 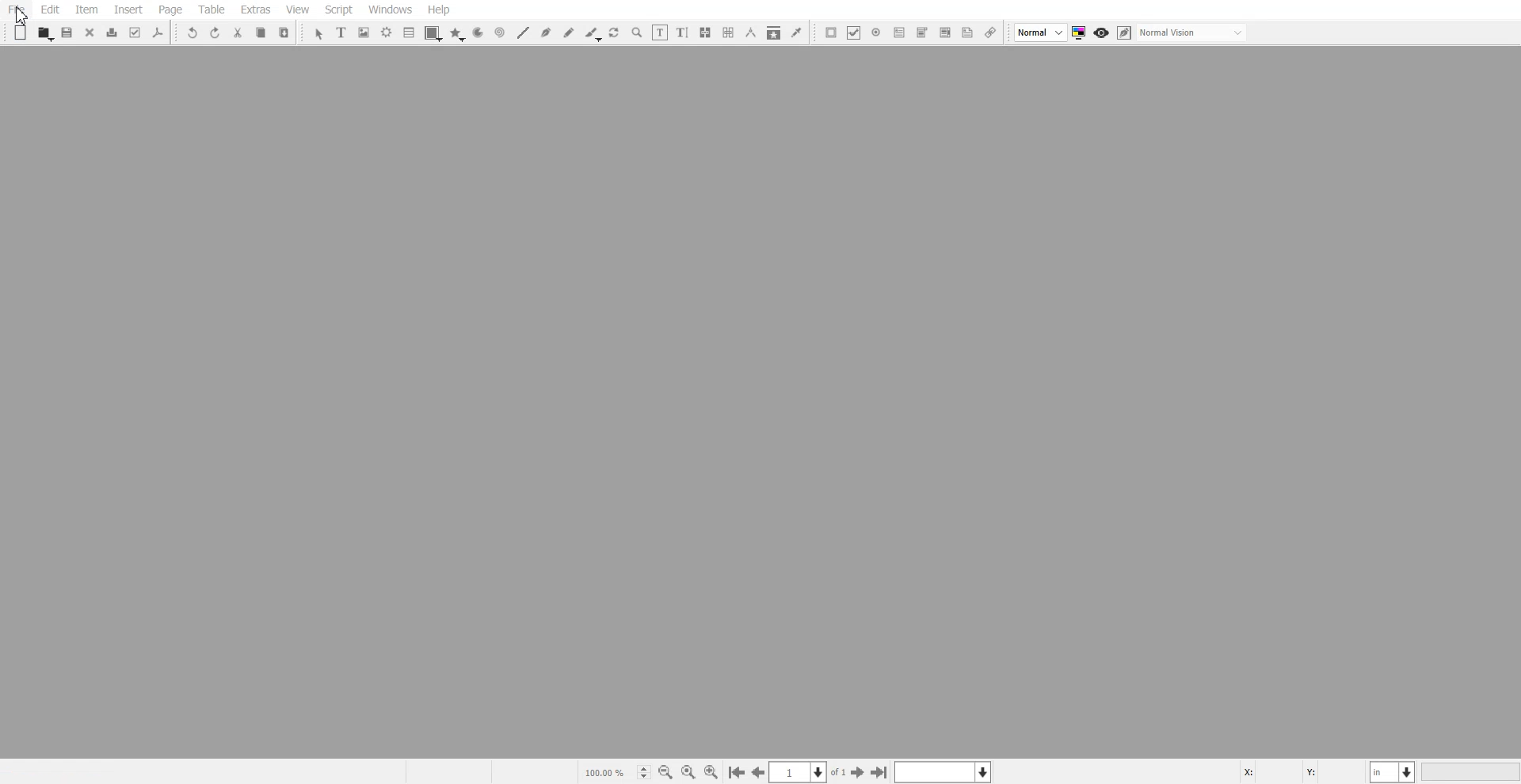 I want to click on Line, so click(x=522, y=32).